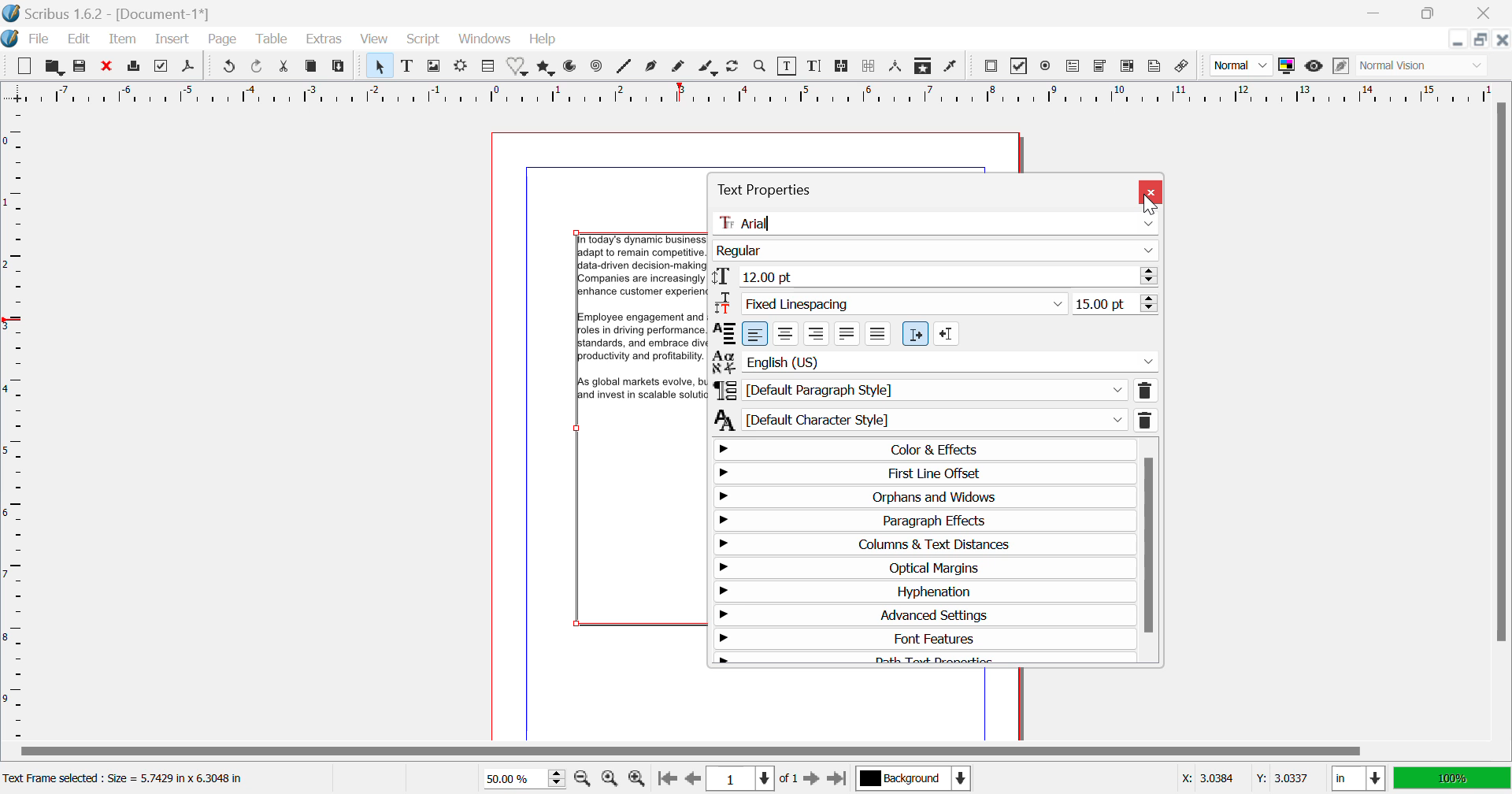 Image resolution: width=1512 pixels, height=794 pixels. I want to click on Help, so click(543, 39).